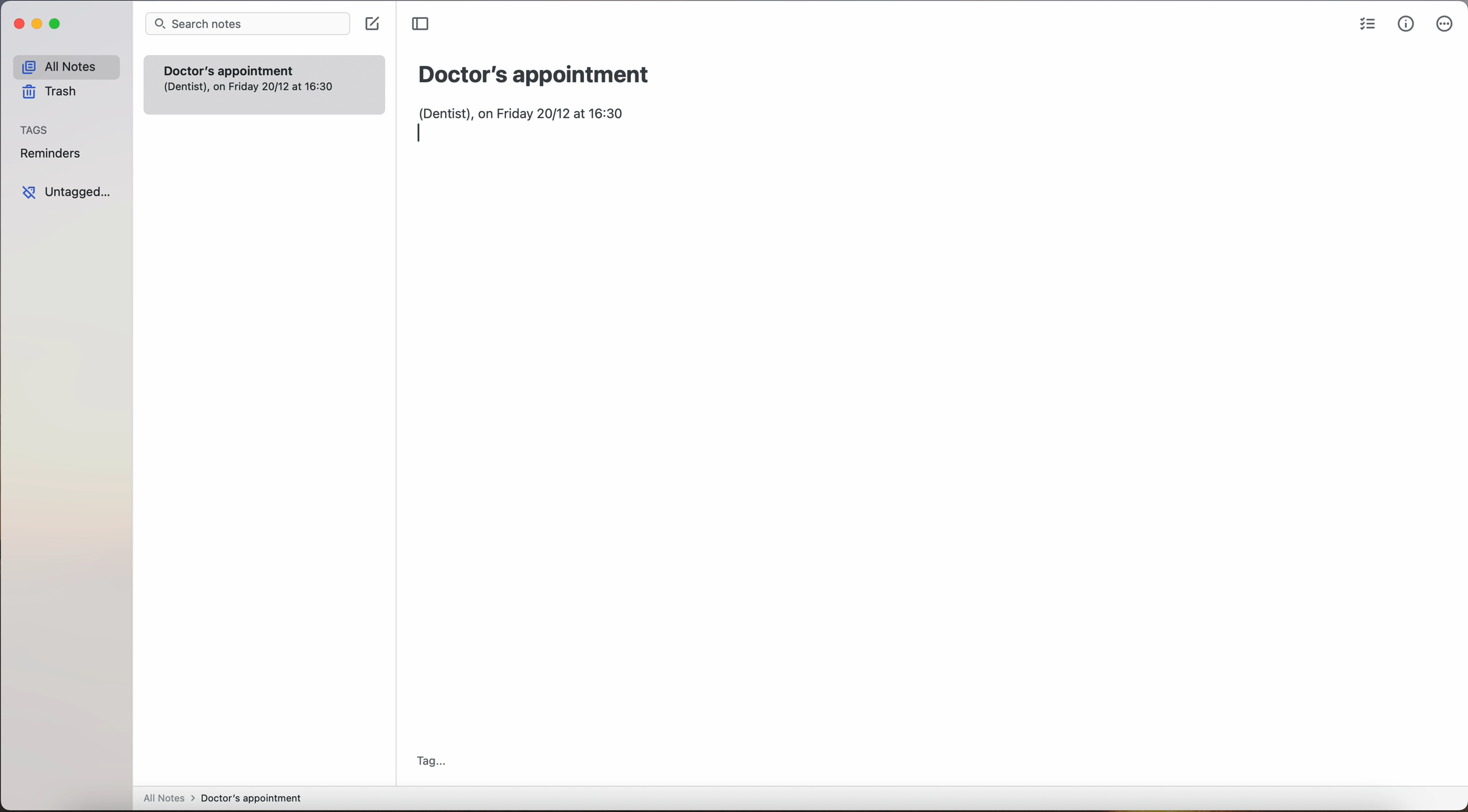 Image resolution: width=1468 pixels, height=812 pixels. Describe the element at coordinates (248, 23) in the screenshot. I see `search bar` at that location.